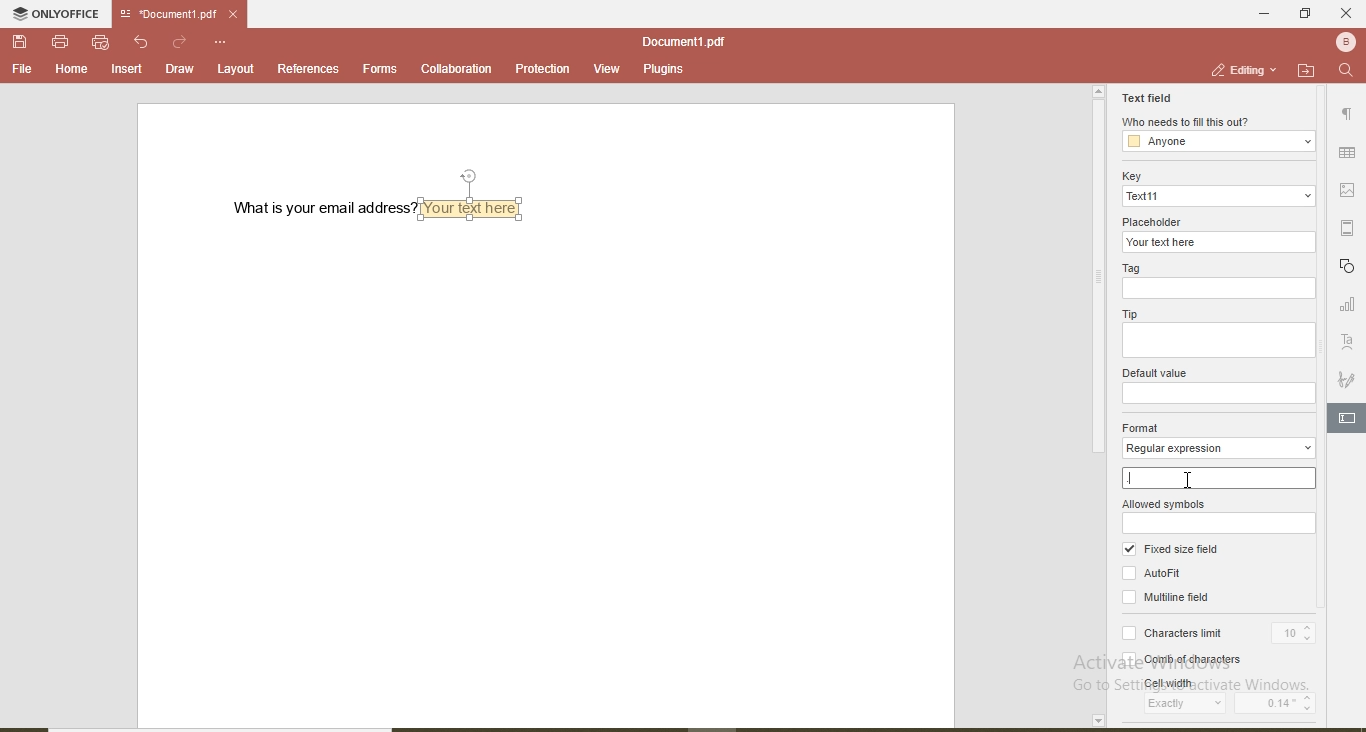 The width and height of the screenshot is (1366, 732). I want to click on graph, so click(1347, 306).